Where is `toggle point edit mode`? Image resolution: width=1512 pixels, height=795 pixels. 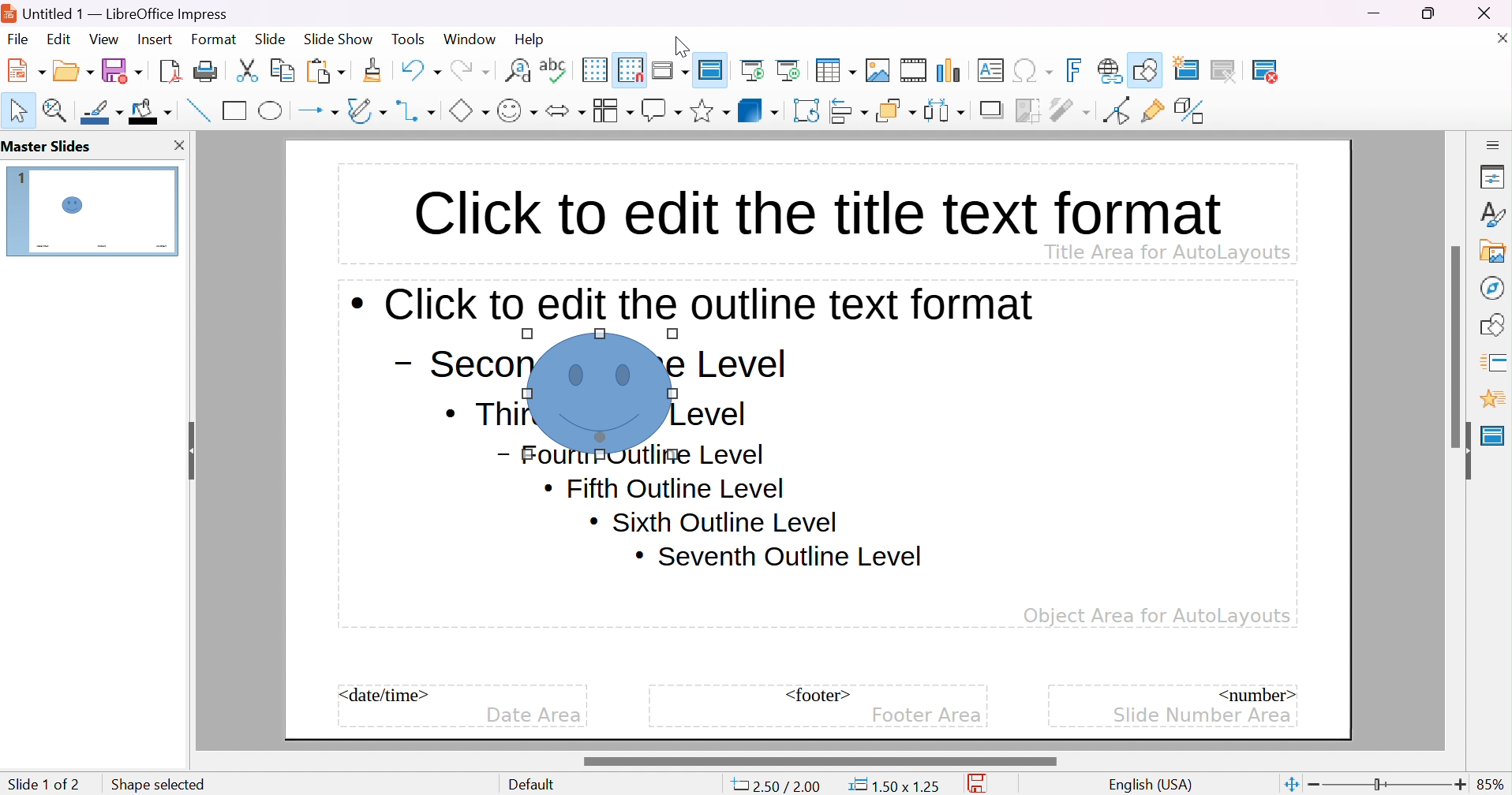 toggle point edit mode is located at coordinates (1115, 110).